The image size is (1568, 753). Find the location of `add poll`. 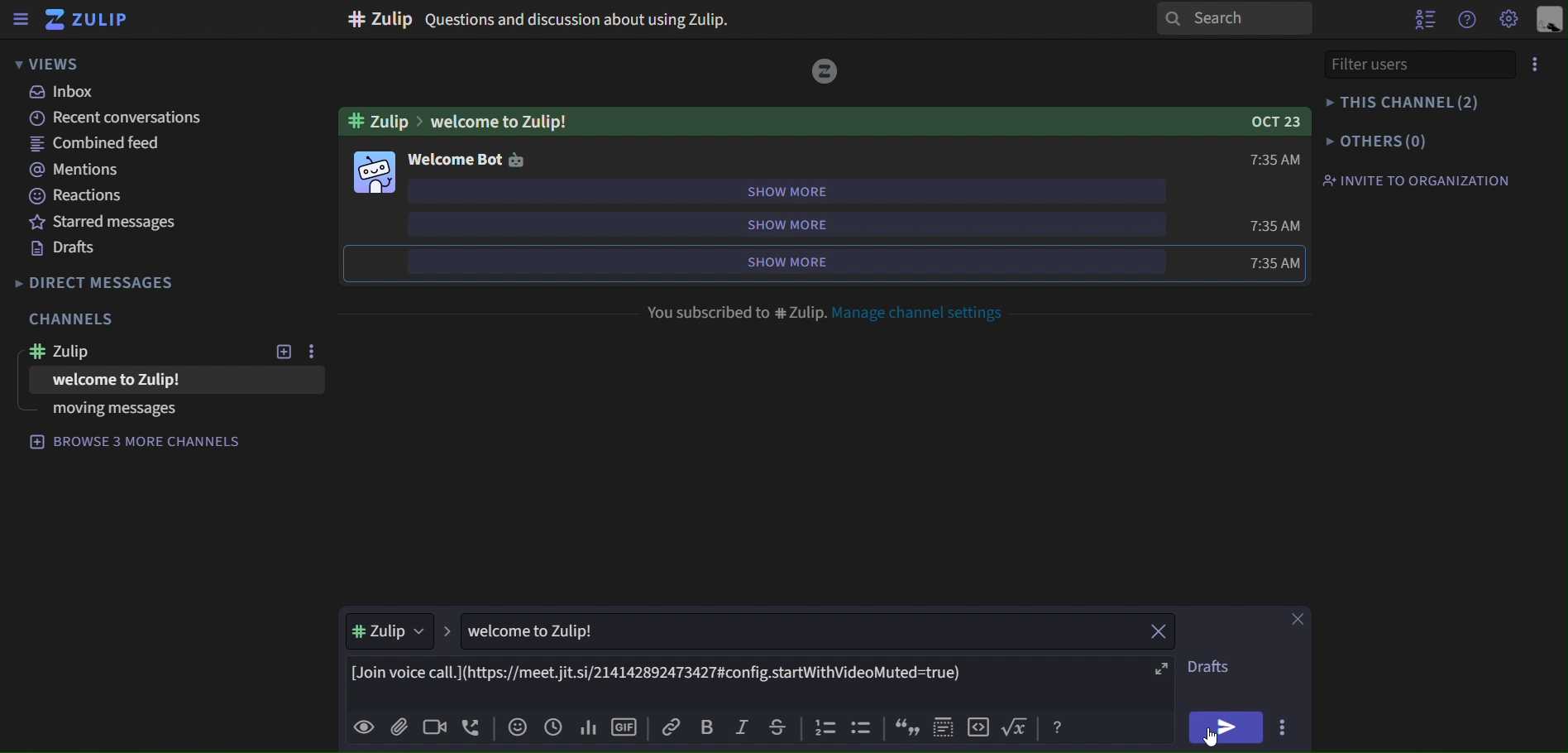

add poll is located at coordinates (586, 727).